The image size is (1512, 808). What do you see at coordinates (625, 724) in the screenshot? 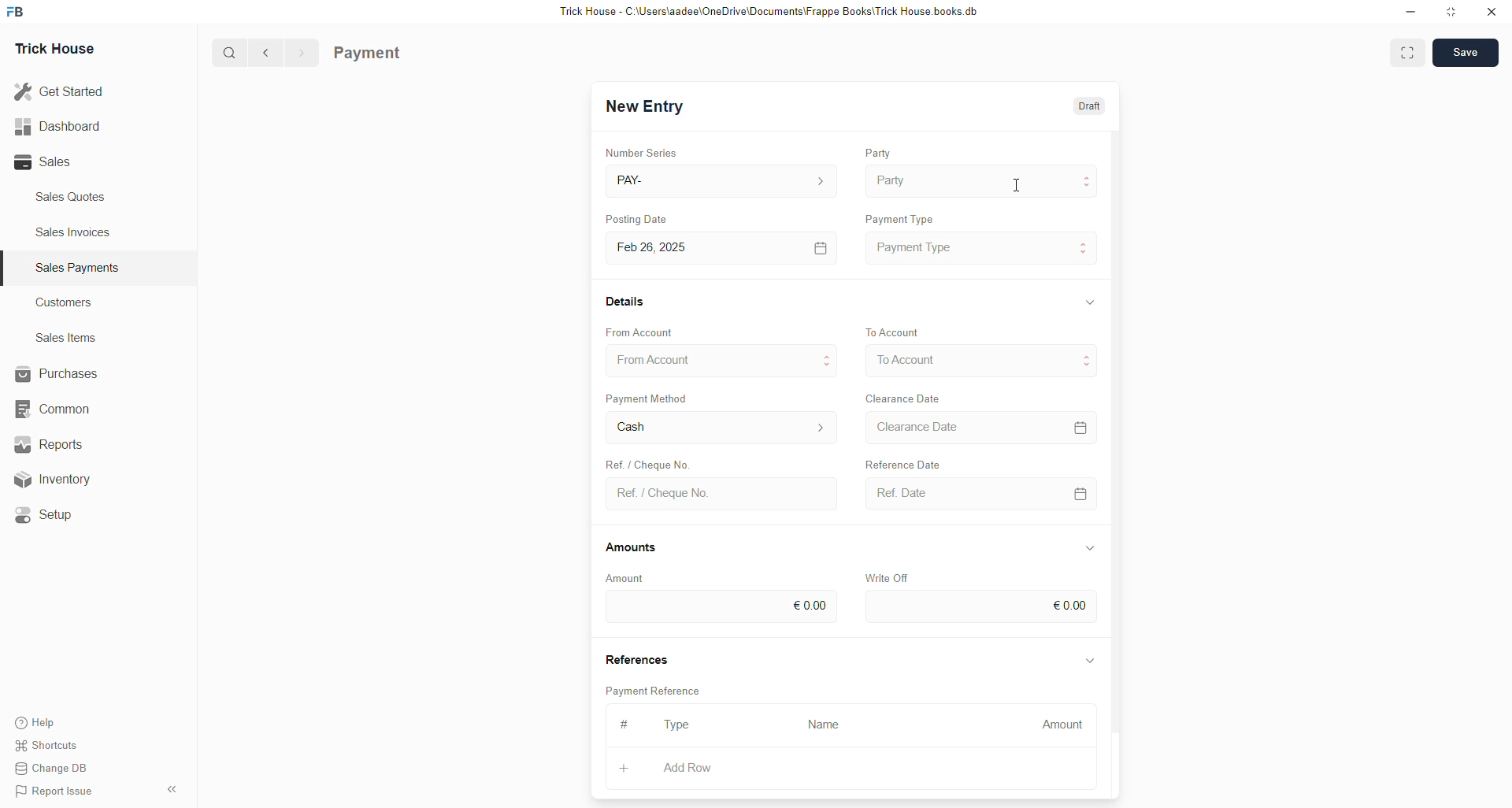
I see `#` at bounding box center [625, 724].